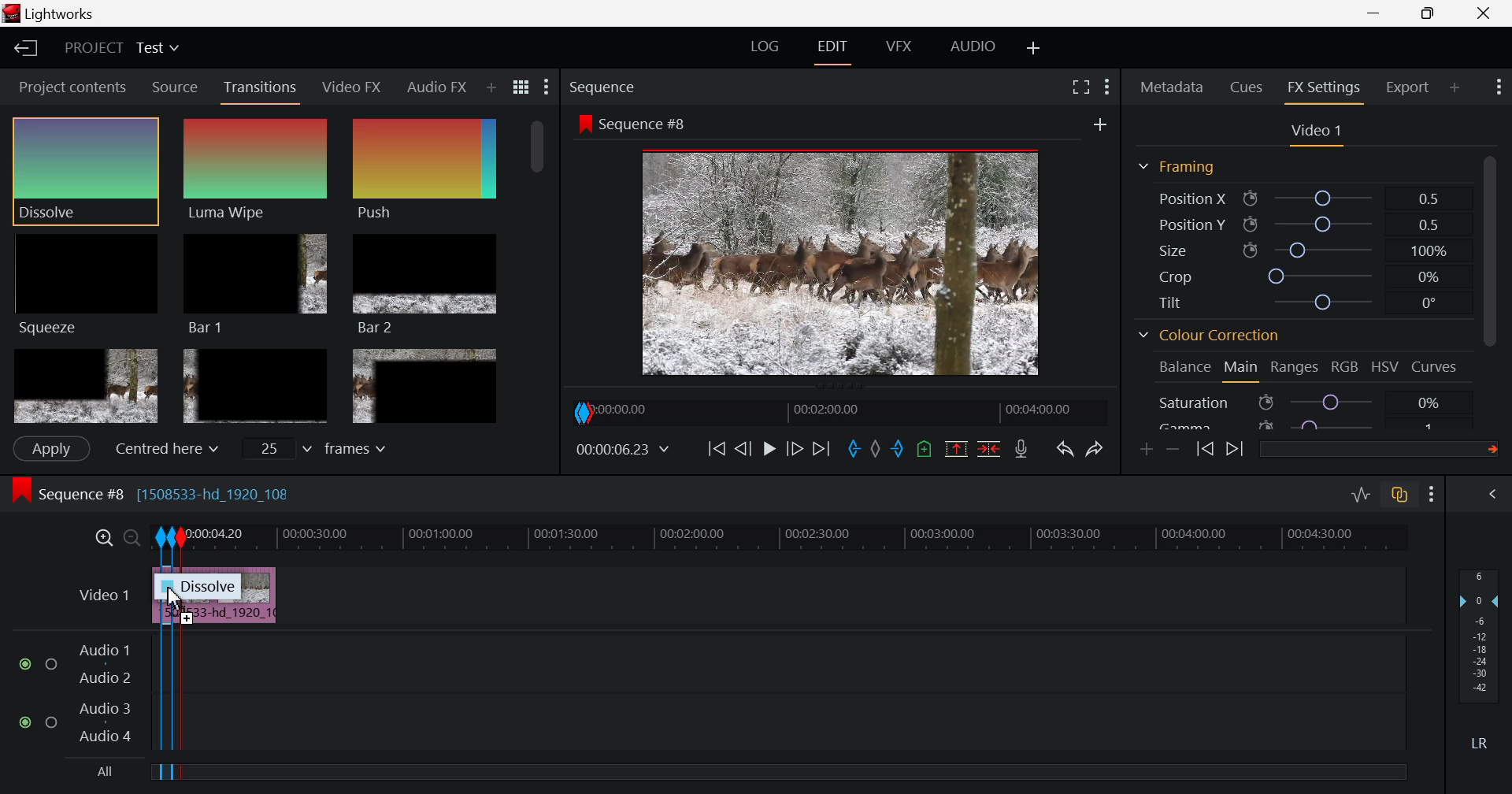 This screenshot has width=1512, height=794. Describe the element at coordinates (1304, 224) in the screenshot. I see `Position Y` at that location.